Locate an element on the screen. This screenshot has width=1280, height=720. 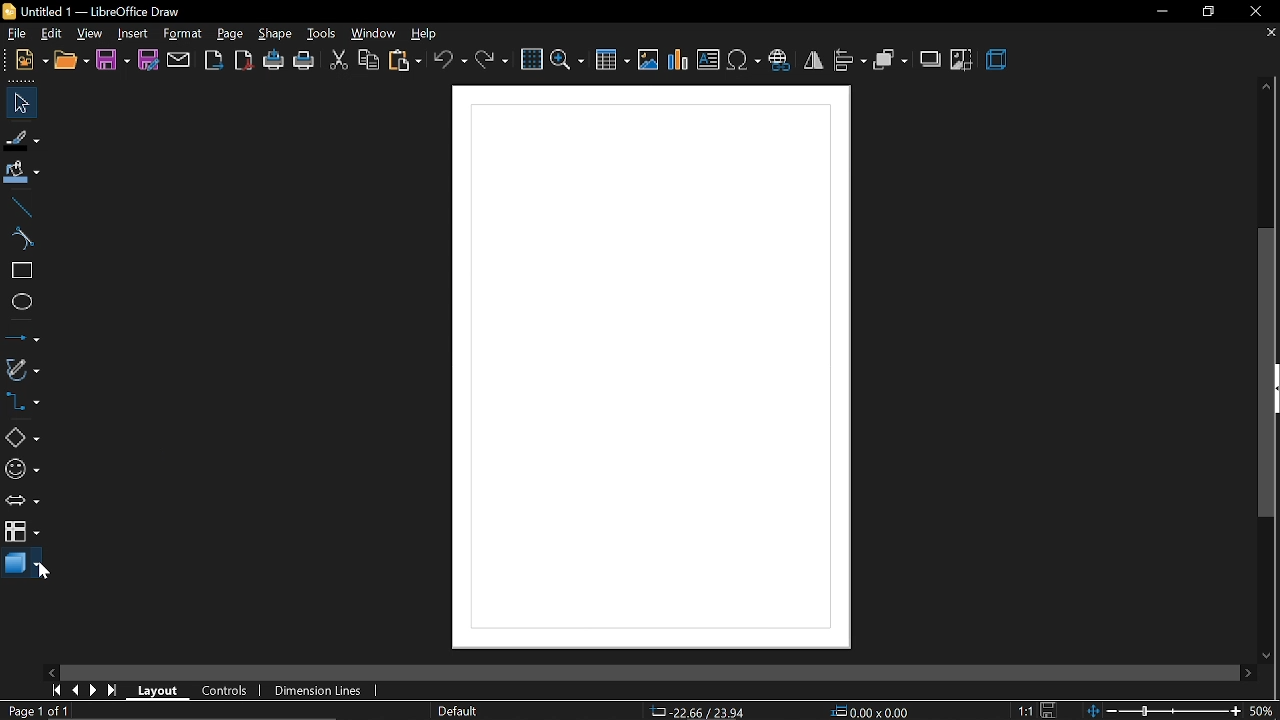
help is located at coordinates (429, 33).